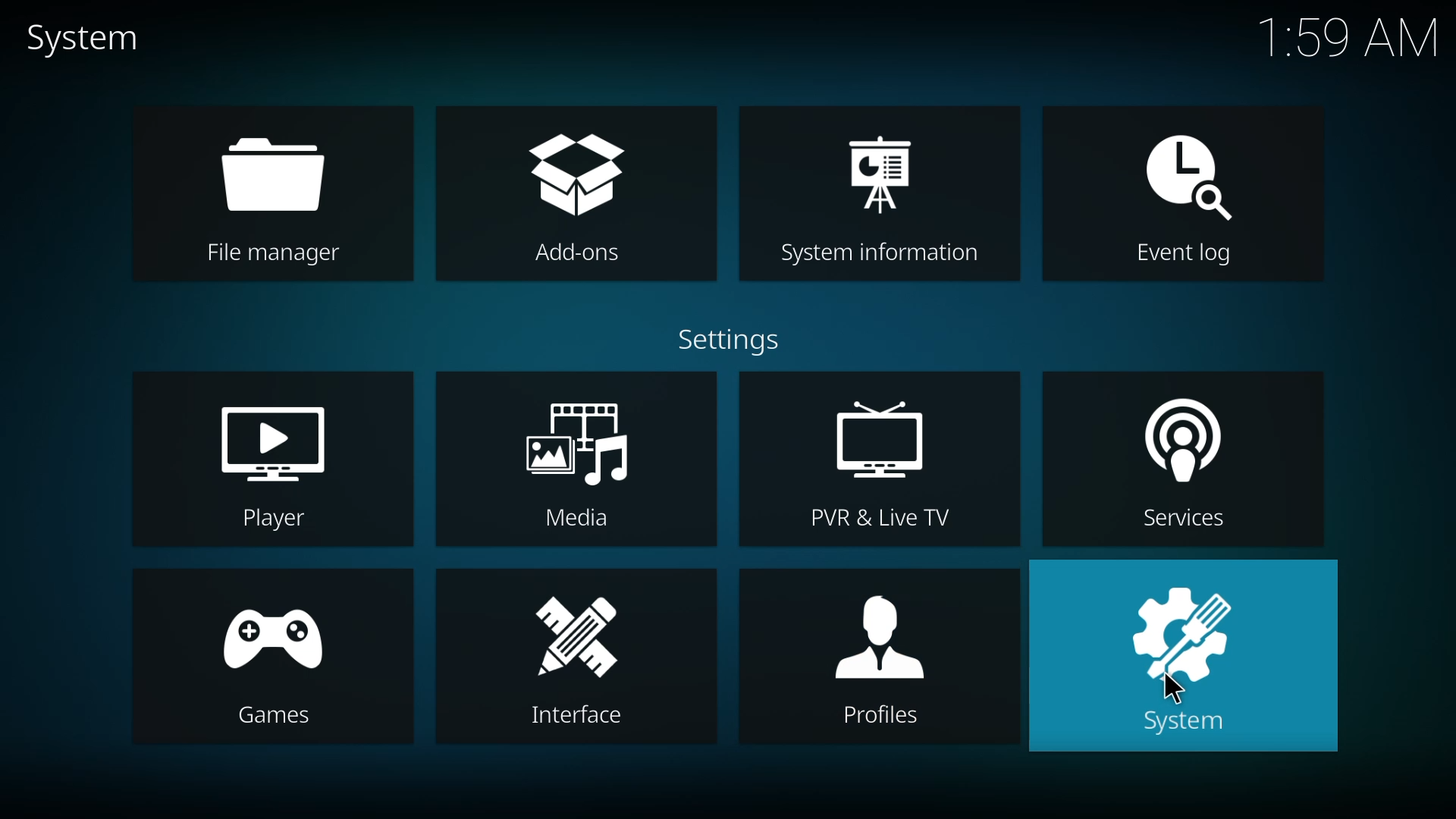 The height and width of the screenshot is (819, 1456). Describe the element at coordinates (880, 196) in the screenshot. I see `system information` at that location.